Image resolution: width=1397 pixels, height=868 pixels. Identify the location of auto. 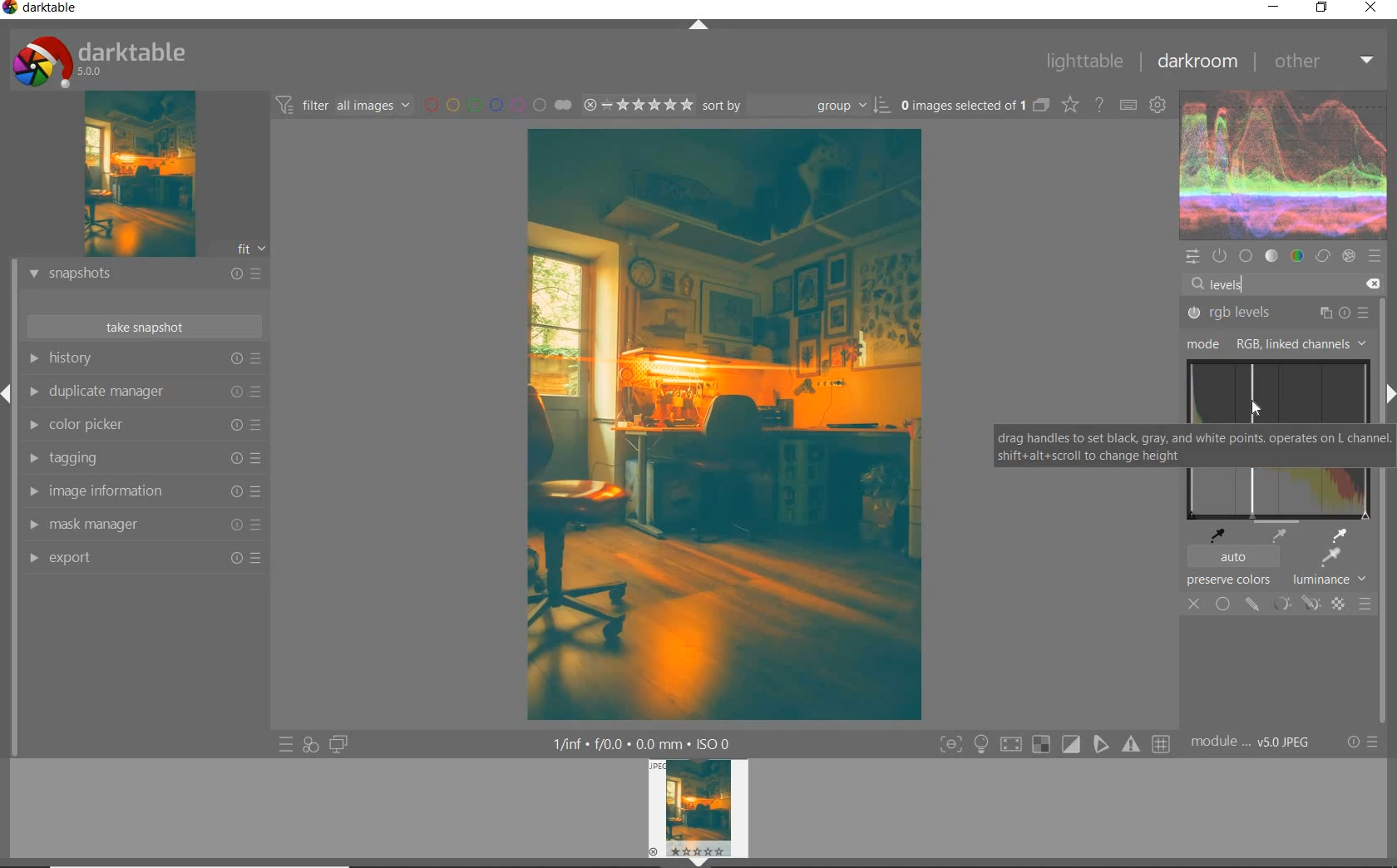
(1232, 558).